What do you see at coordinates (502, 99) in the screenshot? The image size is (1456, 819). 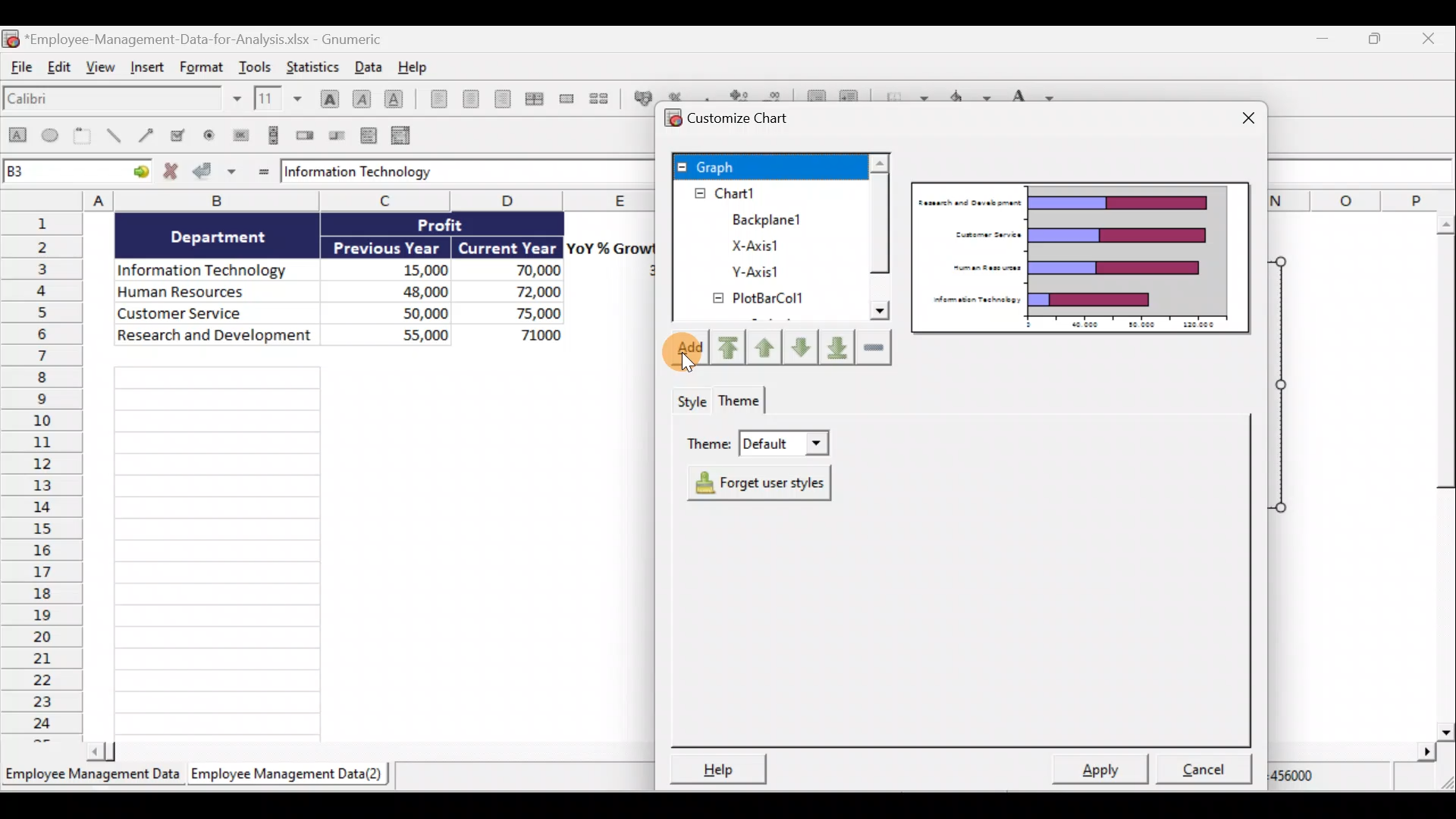 I see `Align right` at bounding box center [502, 99].